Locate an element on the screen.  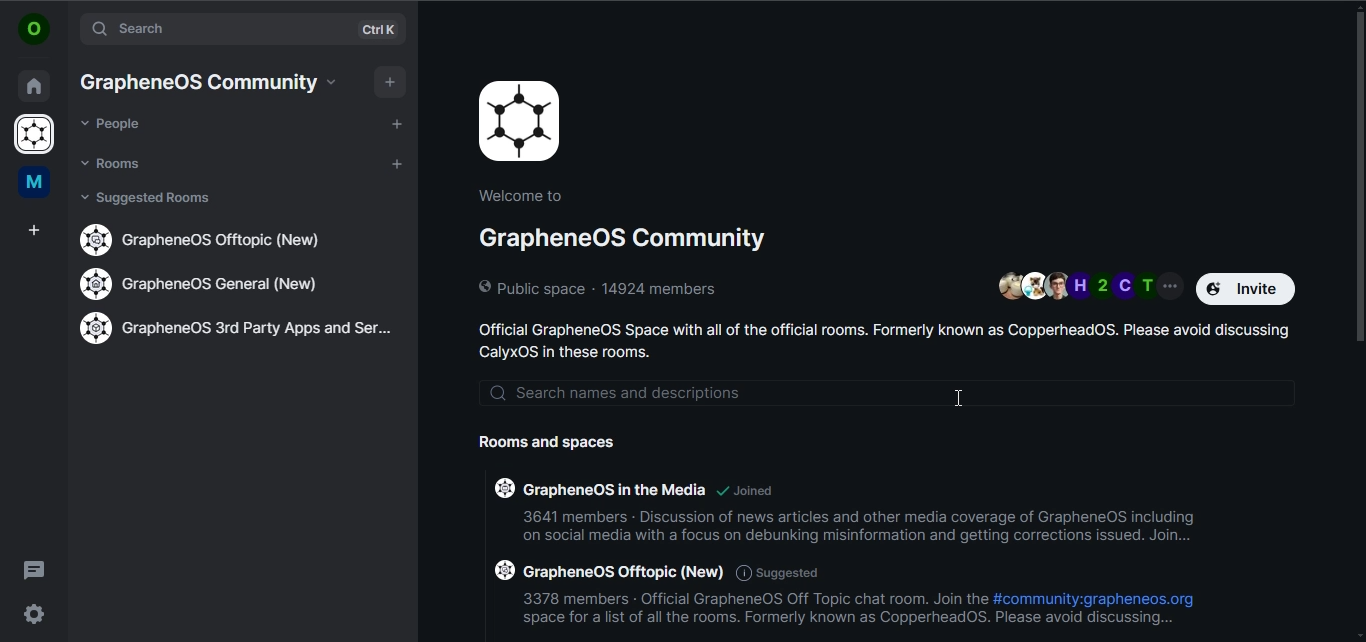
explore room is located at coordinates (383, 30).